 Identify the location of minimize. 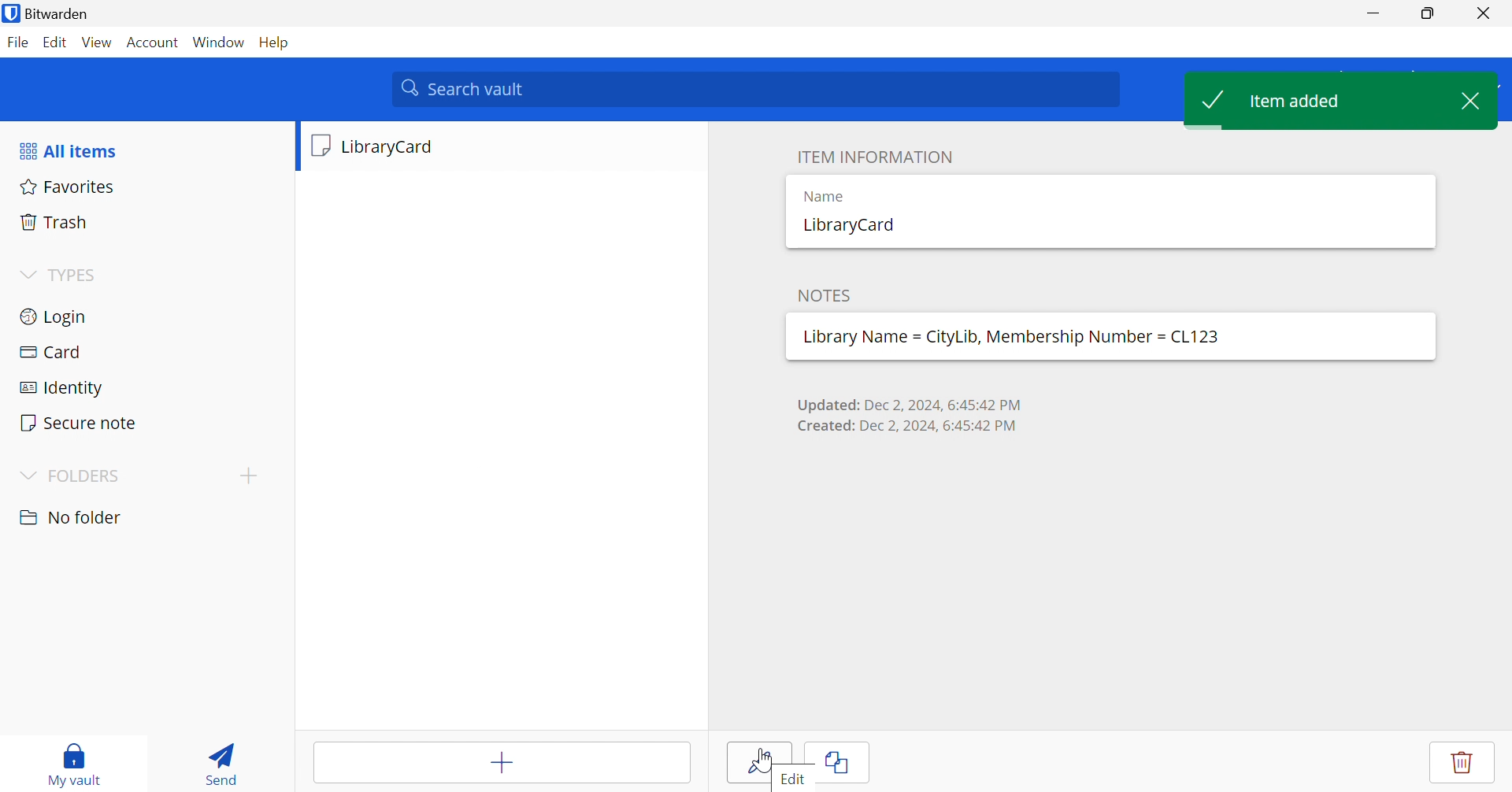
(1372, 13).